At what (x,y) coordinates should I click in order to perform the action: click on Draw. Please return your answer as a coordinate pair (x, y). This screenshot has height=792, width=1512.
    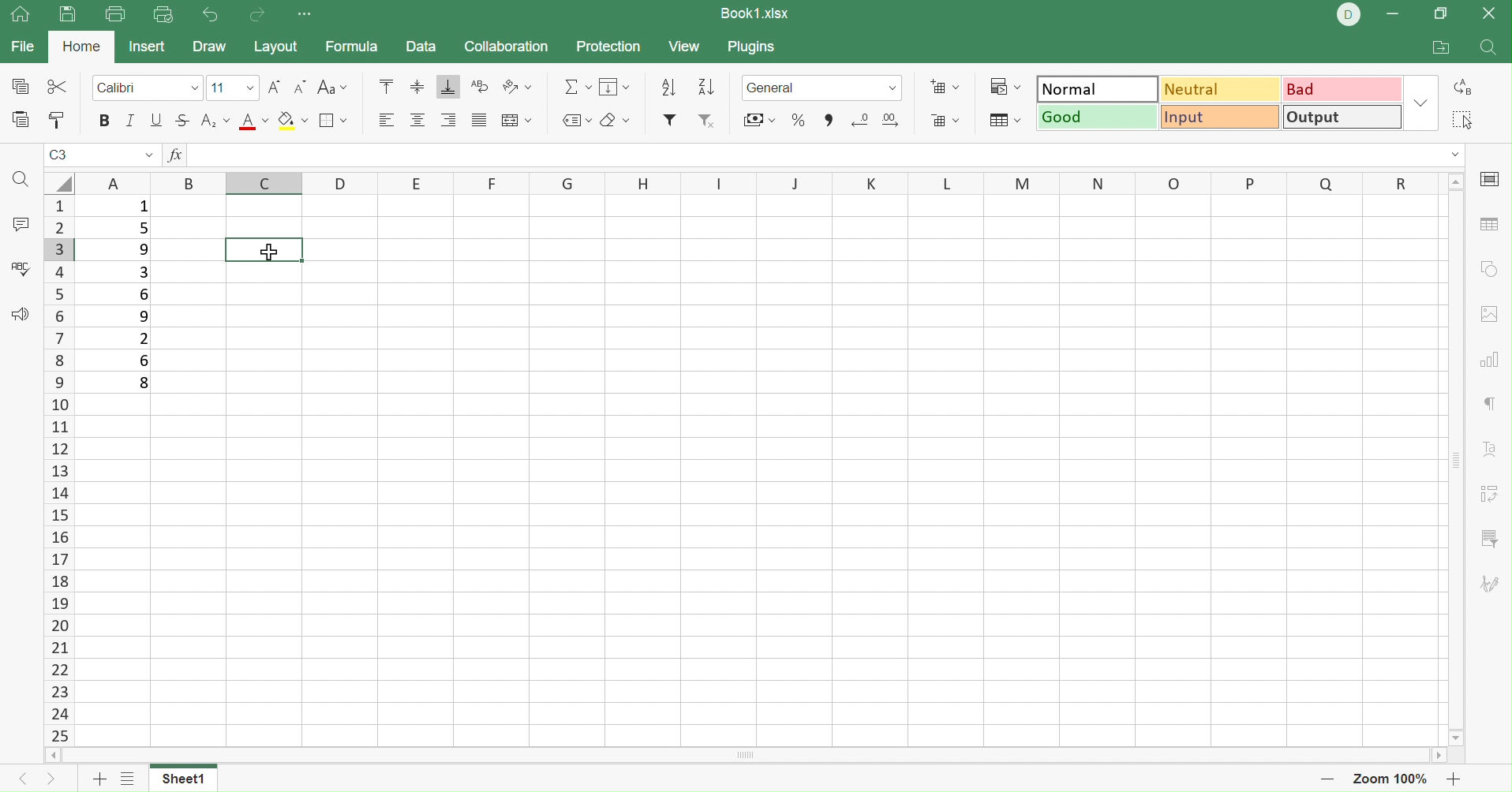
    Looking at the image, I should click on (208, 47).